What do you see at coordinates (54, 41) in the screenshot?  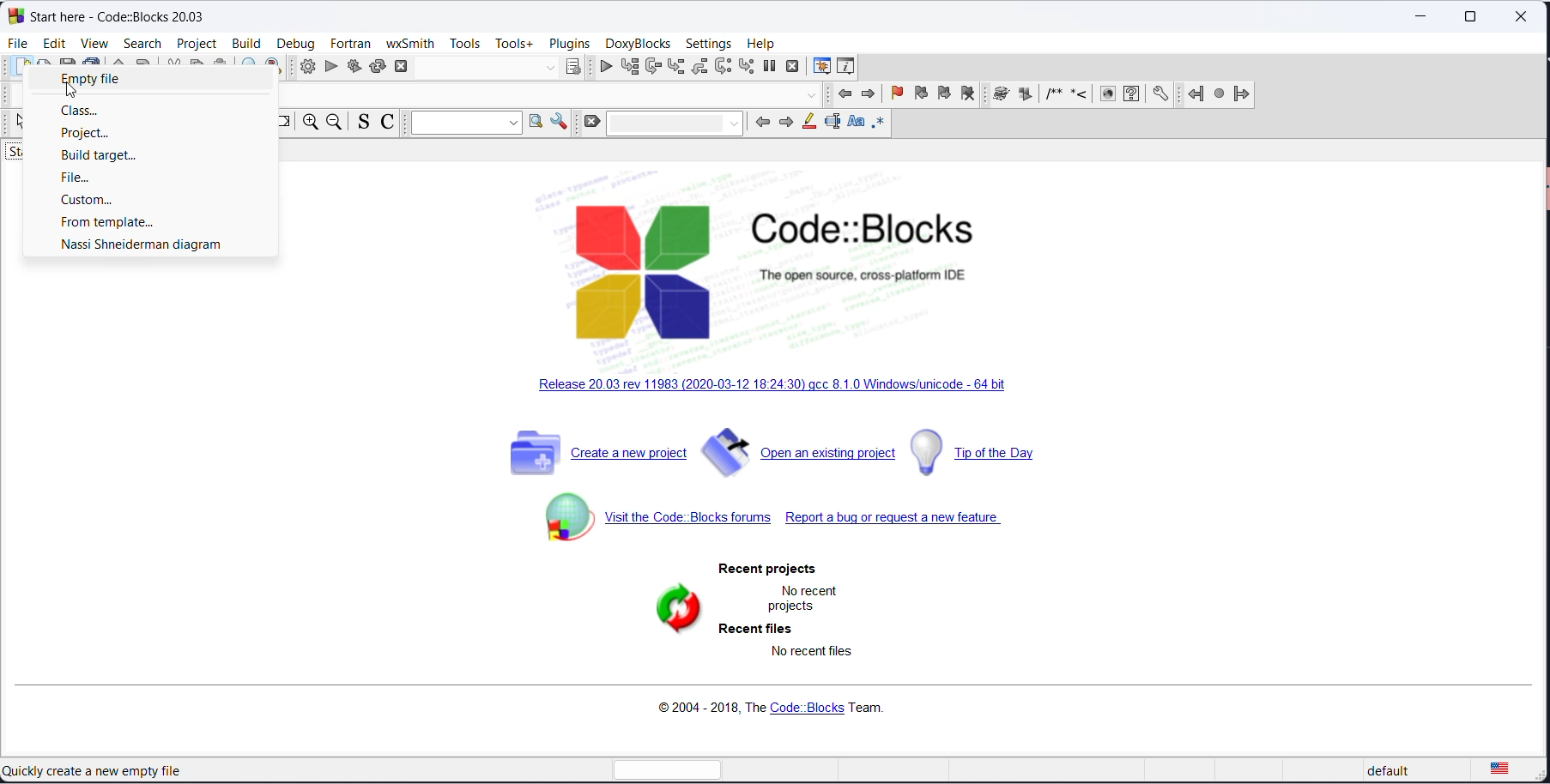 I see `Edit` at bounding box center [54, 41].